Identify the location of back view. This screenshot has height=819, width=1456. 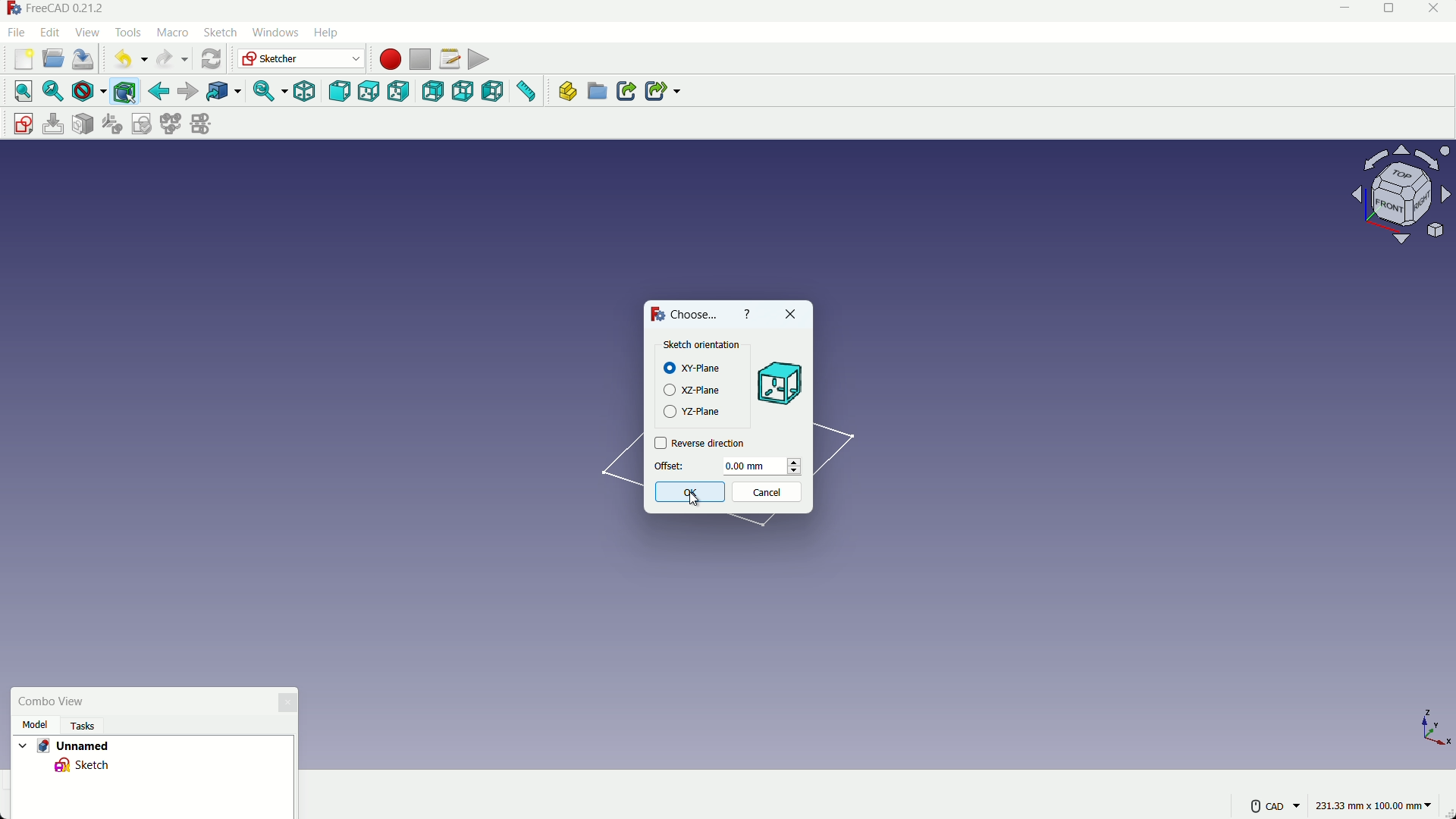
(432, 92).